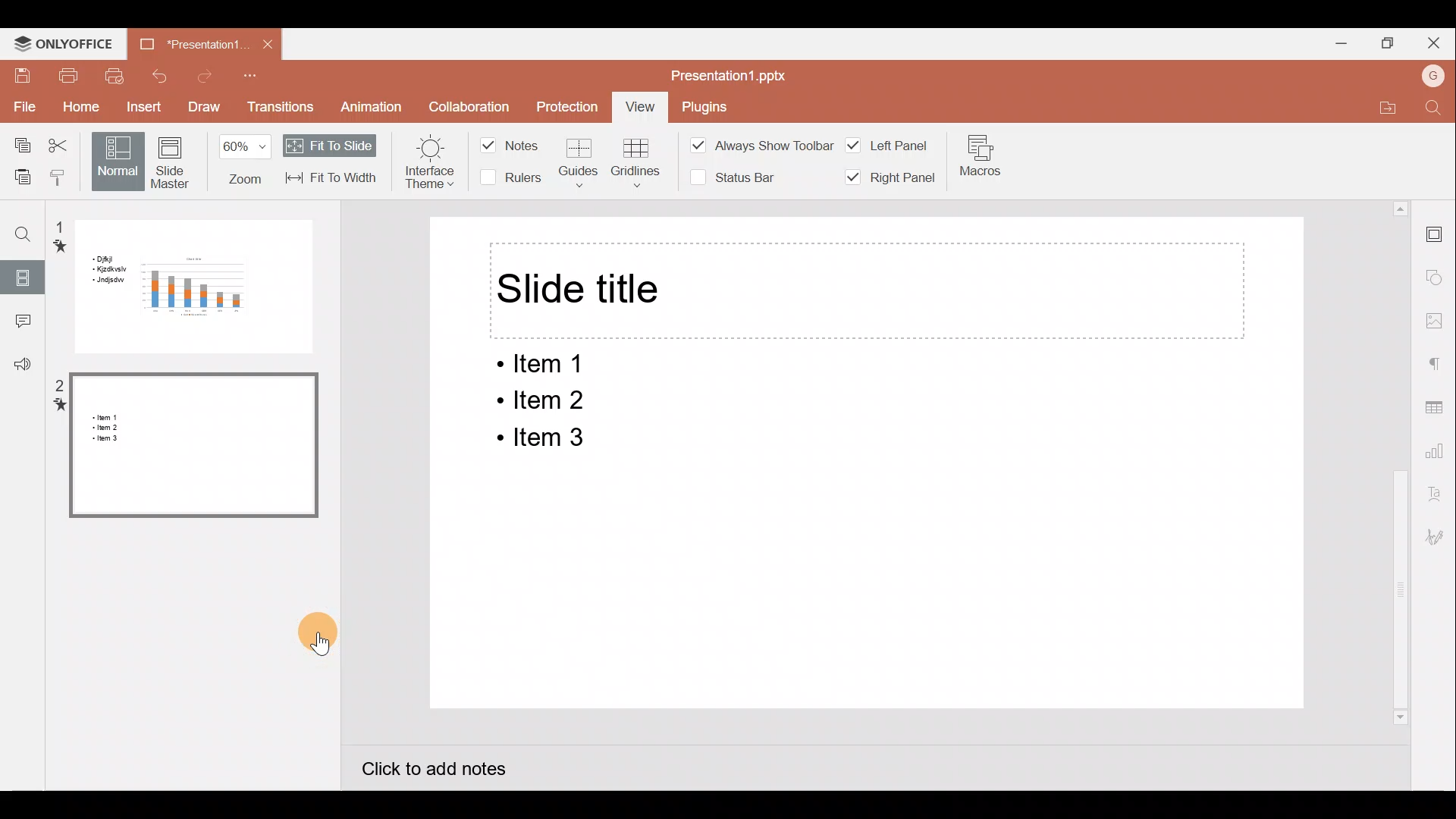 Image resolution: width=1456 pixels, height=819 pixels. I want to click on Fit to width, so click(331, 177).